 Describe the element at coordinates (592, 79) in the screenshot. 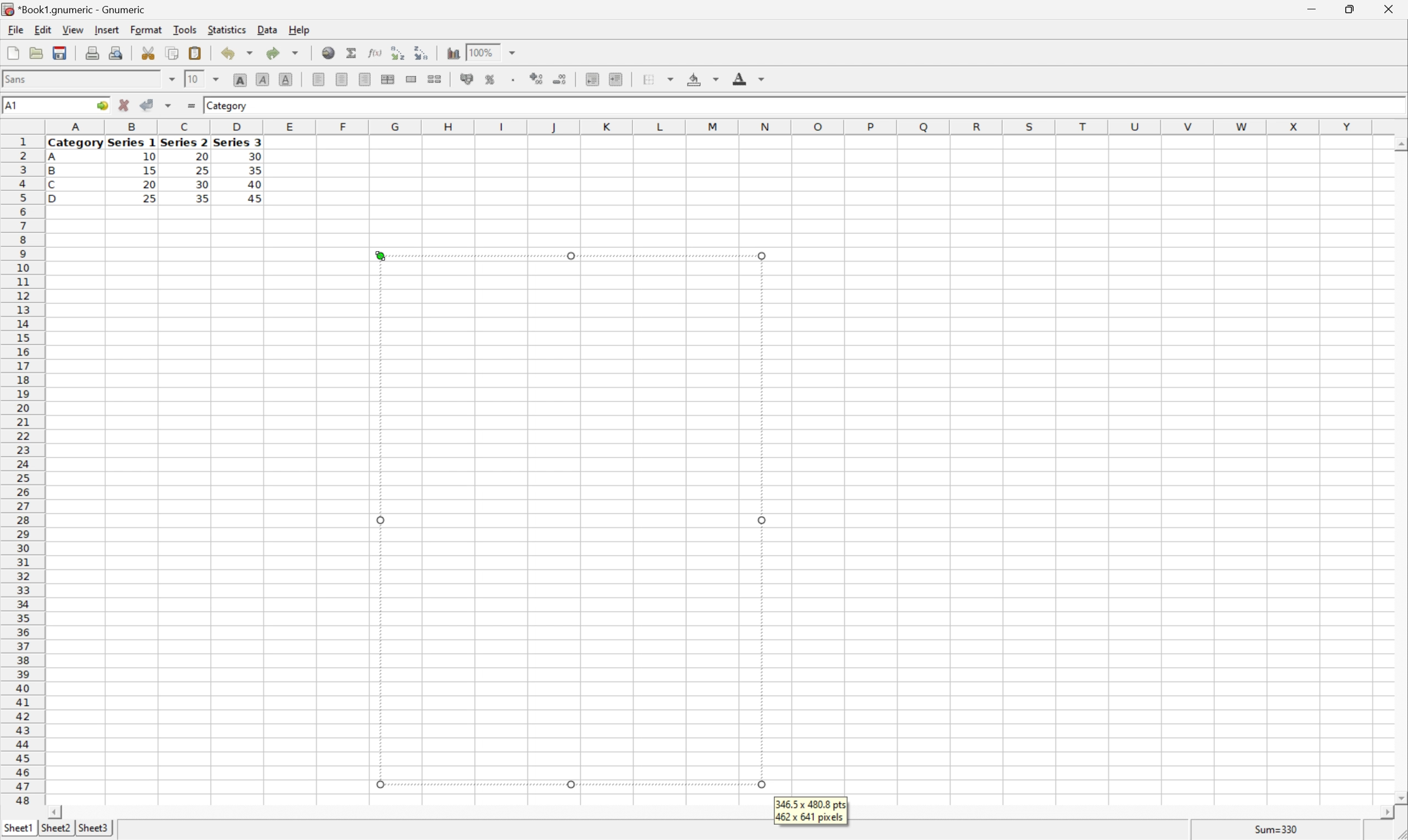

I see `Decrease indent, and align the contents to the left` at that location.